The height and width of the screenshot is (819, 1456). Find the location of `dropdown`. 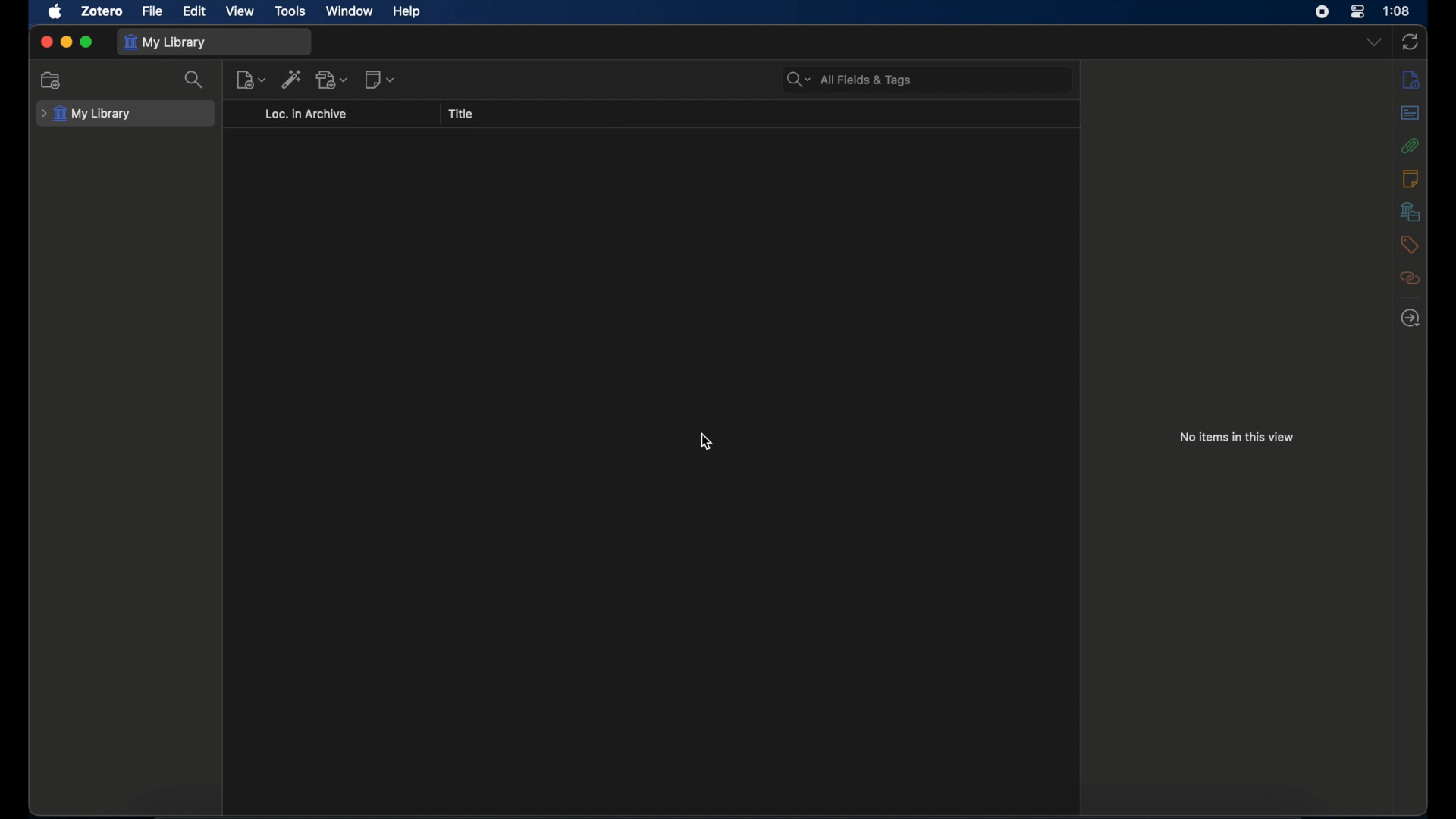

dropdown is located at coordinates (1373, 42).